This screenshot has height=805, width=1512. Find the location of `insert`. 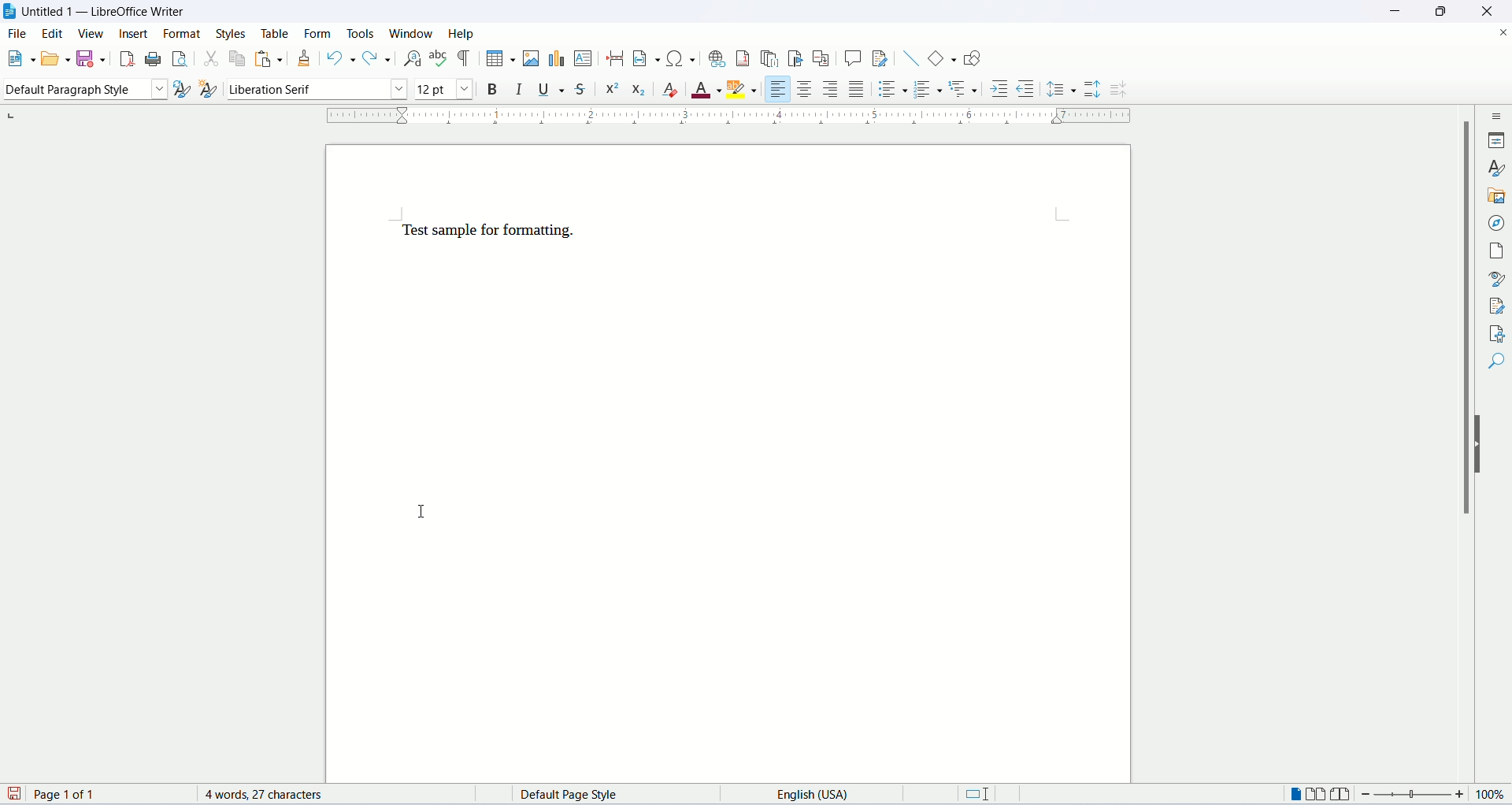

insert is located at coordinates (135, 37).